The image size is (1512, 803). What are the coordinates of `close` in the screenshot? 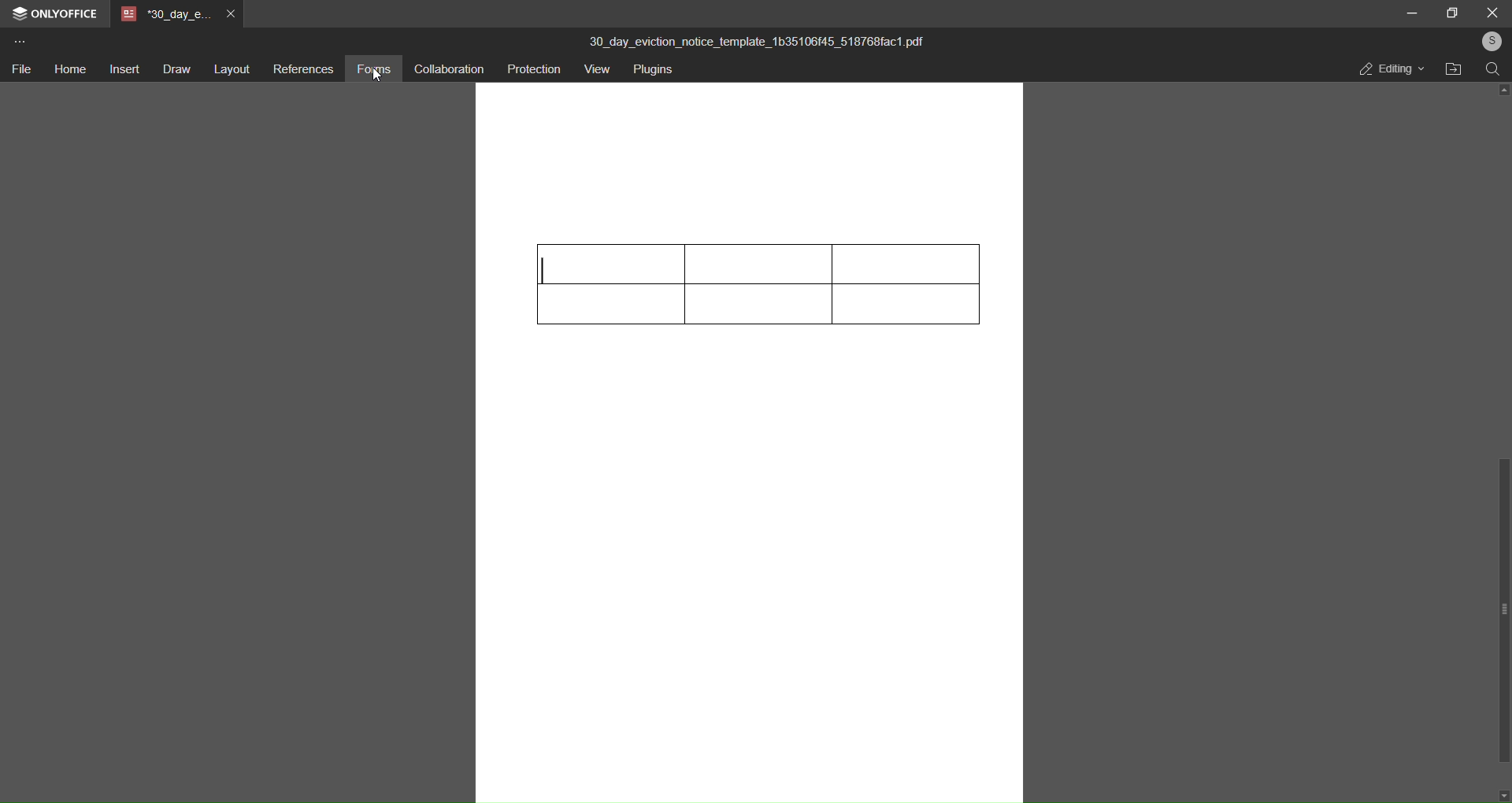 It's located at (1490, 12).